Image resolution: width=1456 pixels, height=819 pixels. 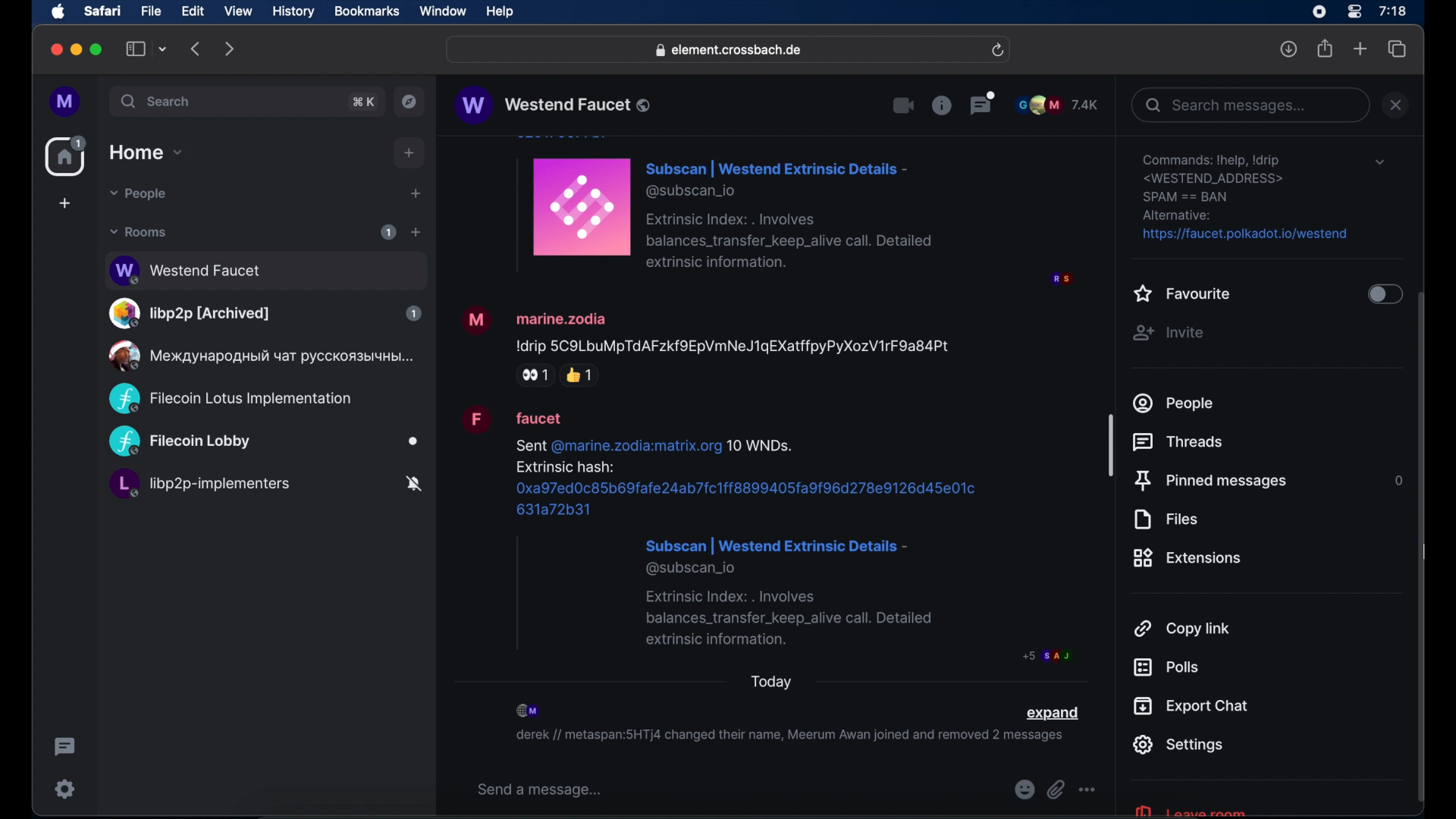 What do you see at coordinates (265, 313) in the screenshot?
I see `public room` at bounding box center [265, 313].